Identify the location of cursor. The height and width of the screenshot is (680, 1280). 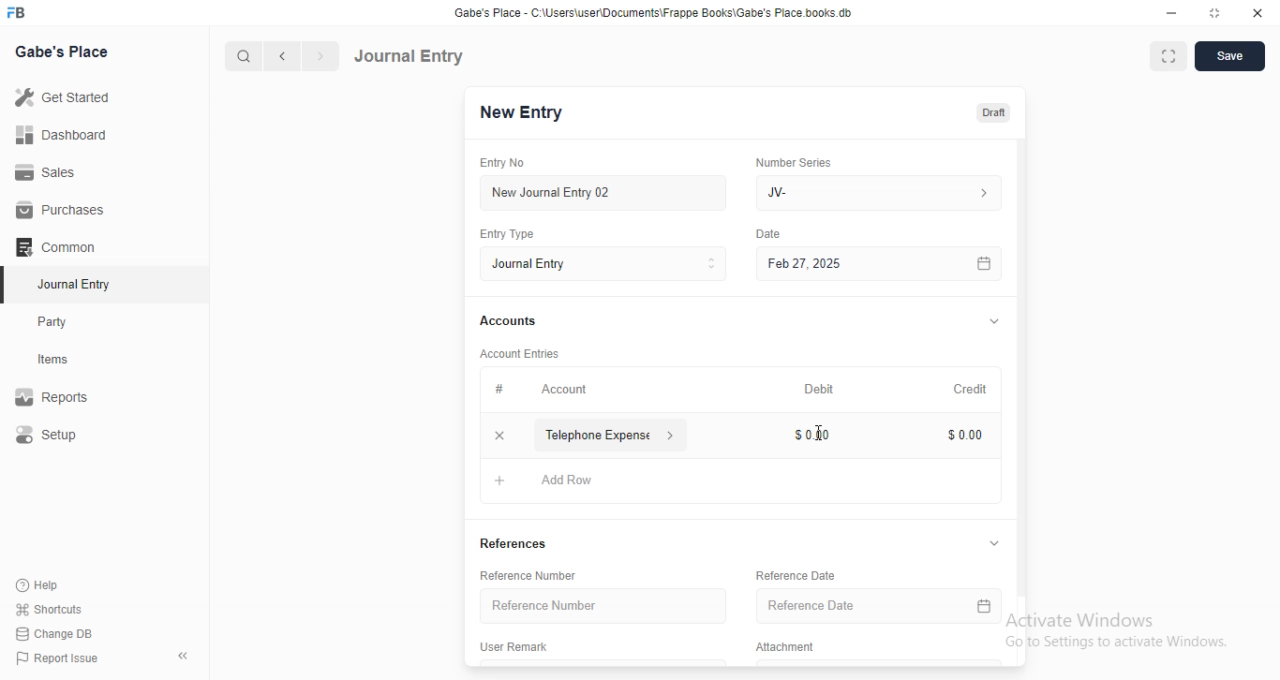
(814, 433).